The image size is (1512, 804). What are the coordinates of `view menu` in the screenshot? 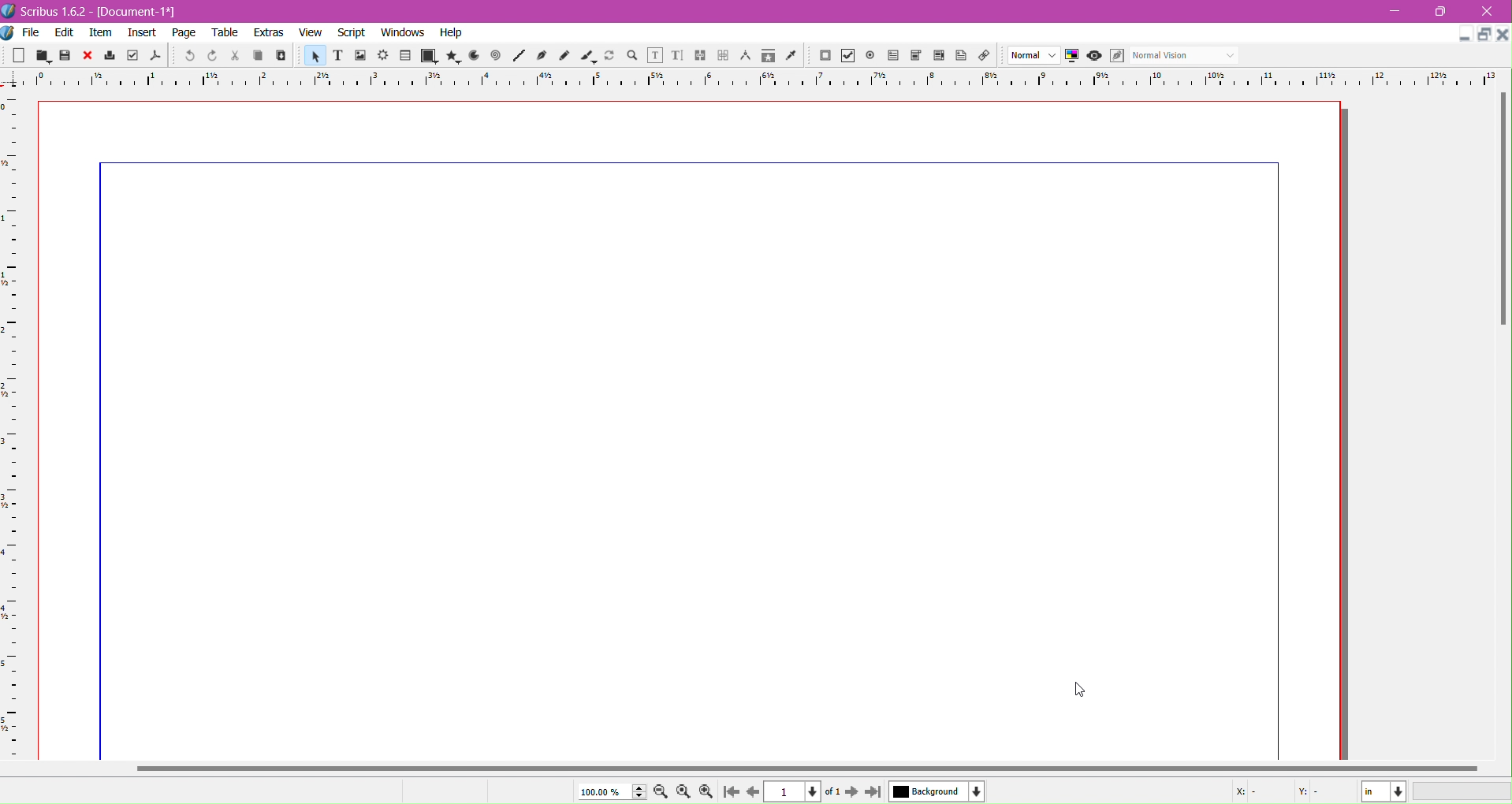 It's located at (311, 33).